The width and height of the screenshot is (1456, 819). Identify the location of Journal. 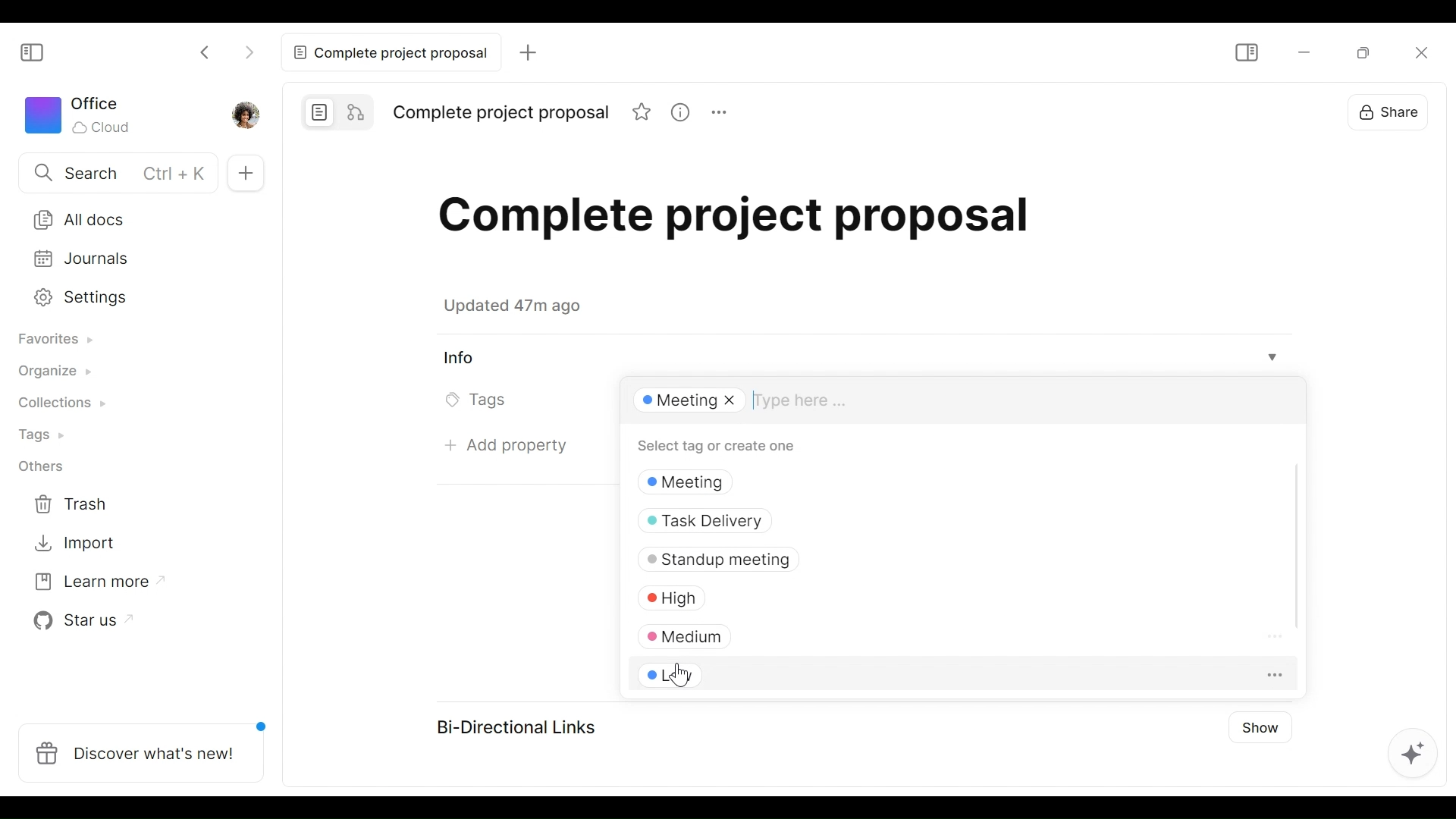
(128, 260).